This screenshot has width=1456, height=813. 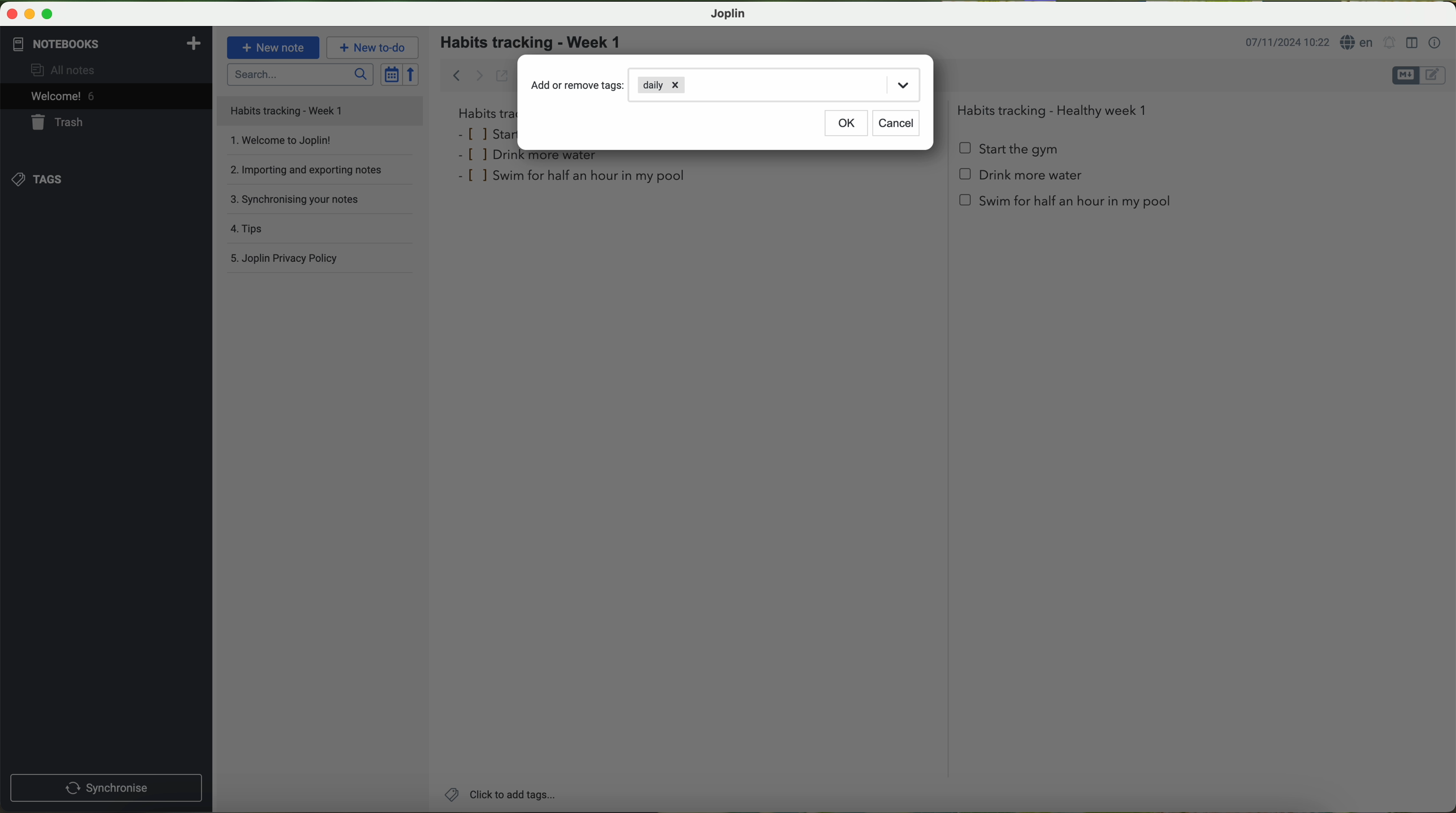 I want to click on welcome to Joplin, so click(x=319, y=145).